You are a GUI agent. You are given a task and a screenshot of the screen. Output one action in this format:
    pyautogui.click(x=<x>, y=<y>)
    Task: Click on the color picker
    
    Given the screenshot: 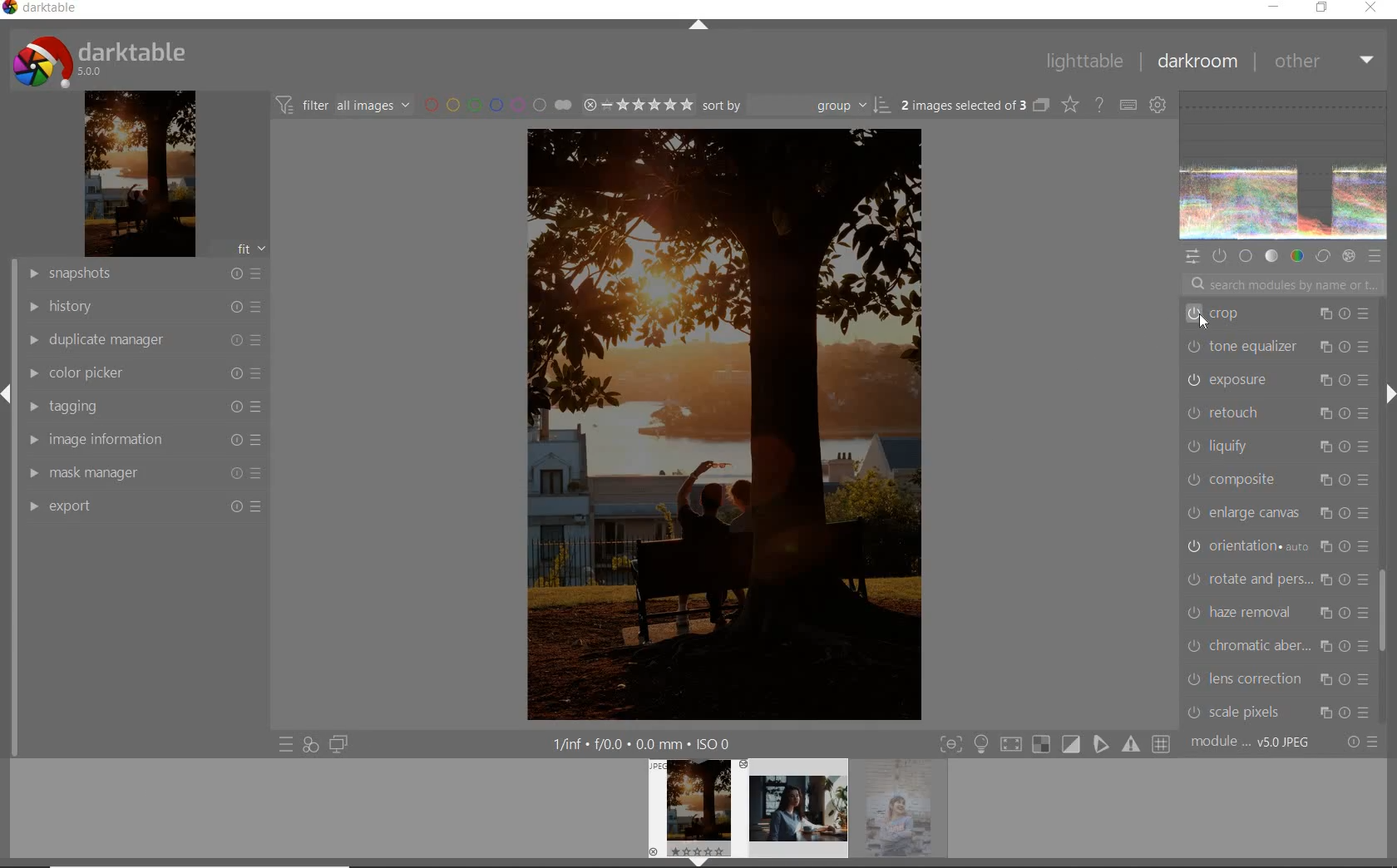 What is the action you would take?
    pyautogui.click(x=142, y=374)
    